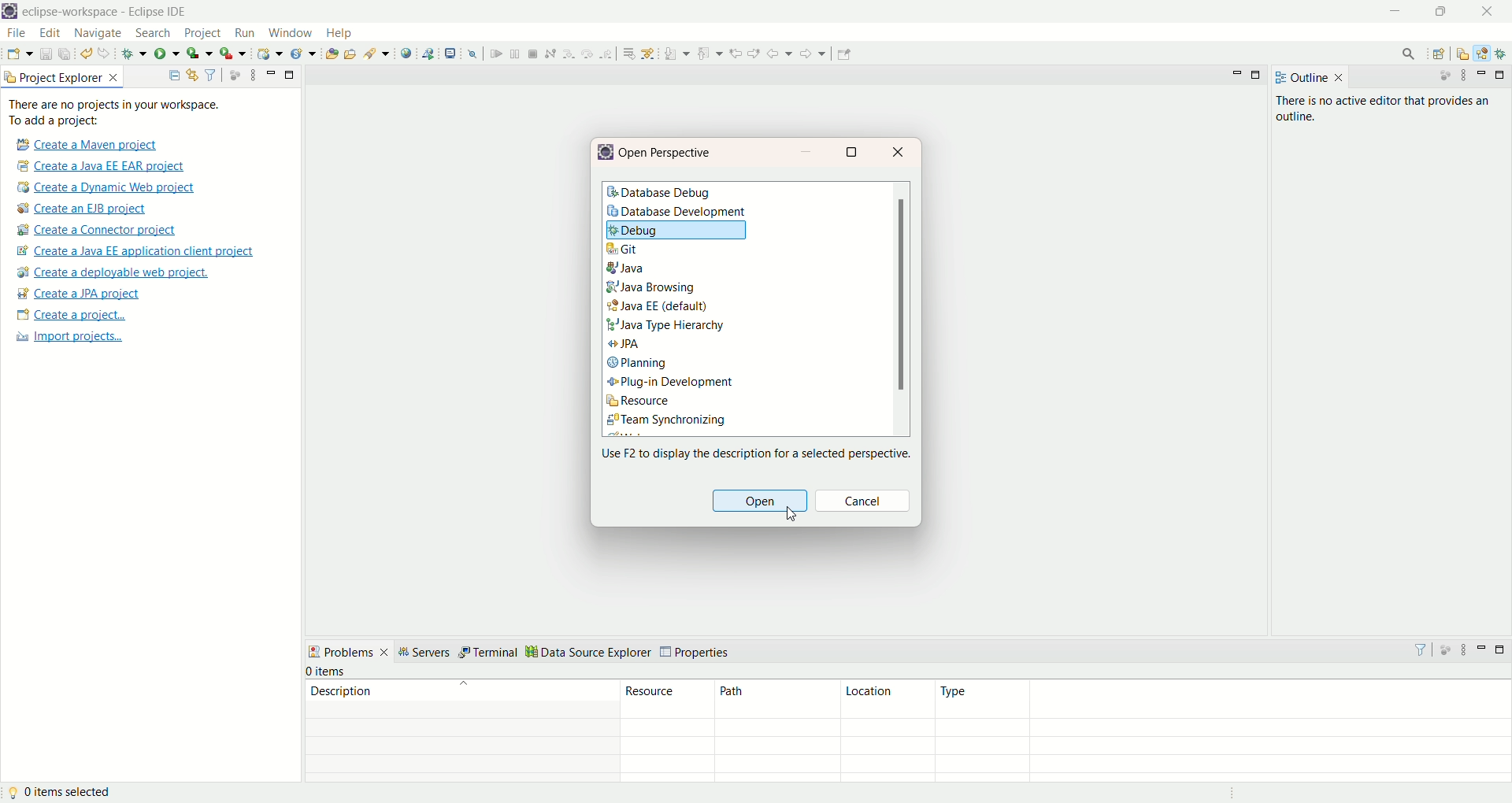 The height and width of the screenshot is (803, 1512). Describe the element at coordinates (428, 653) in the screenshot. I see `servers` at that location.